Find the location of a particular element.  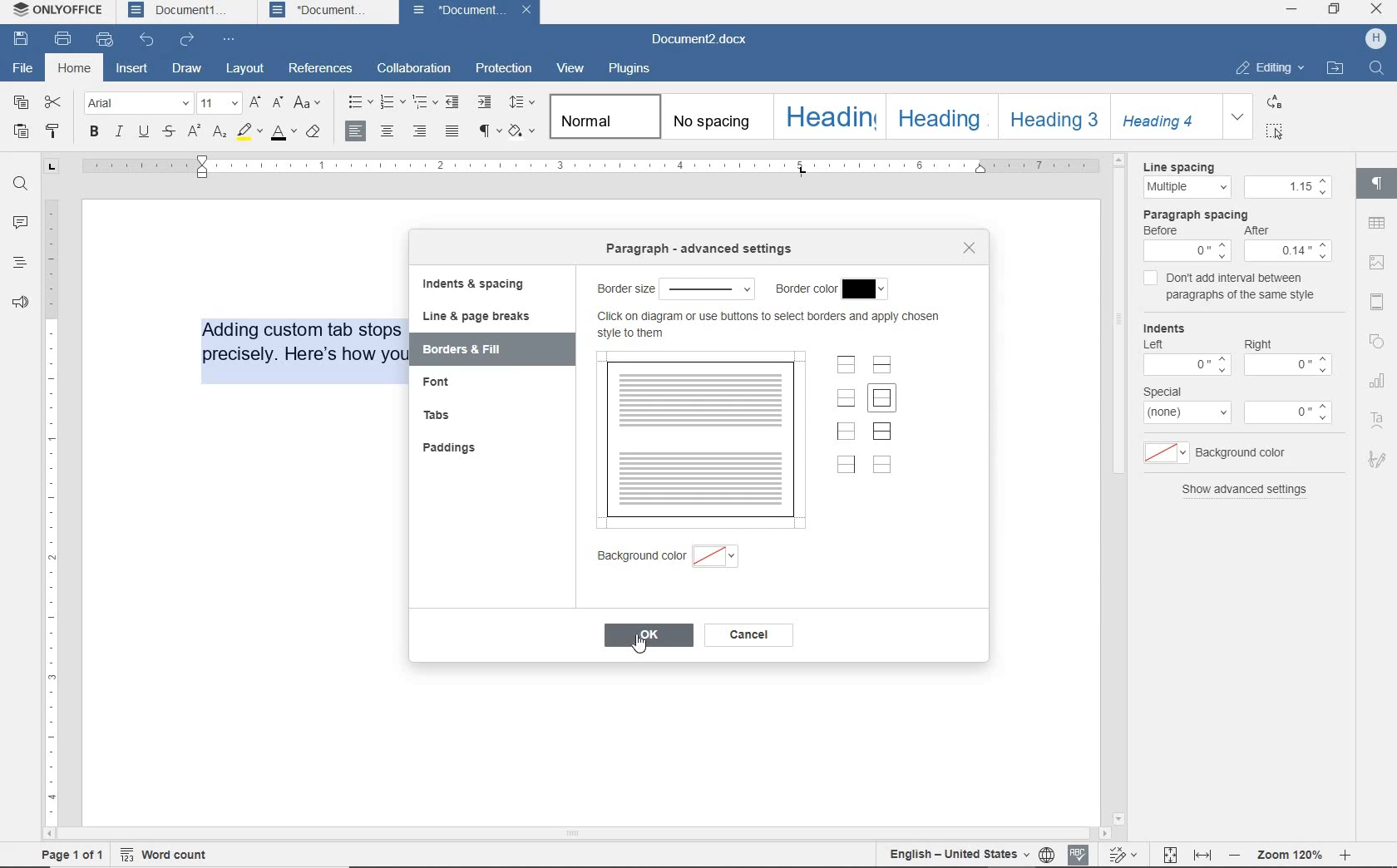

menu is located at coordinates (1287, 186).